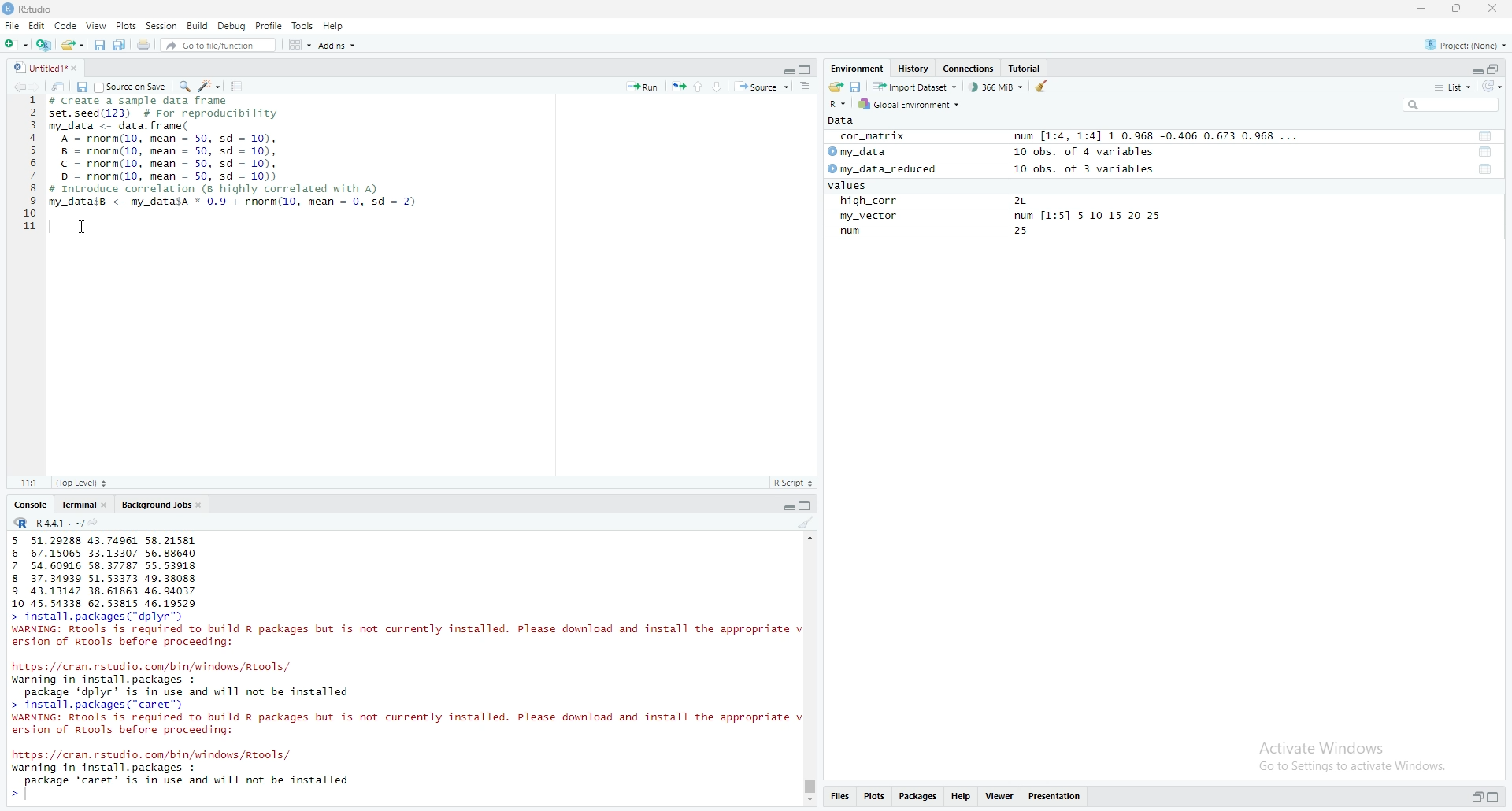 This screenshot has height=811, width=1512. What do you see at coordinates (302, 46) in the screenshot?
I see `Grid` at bounding box center [302, 46].